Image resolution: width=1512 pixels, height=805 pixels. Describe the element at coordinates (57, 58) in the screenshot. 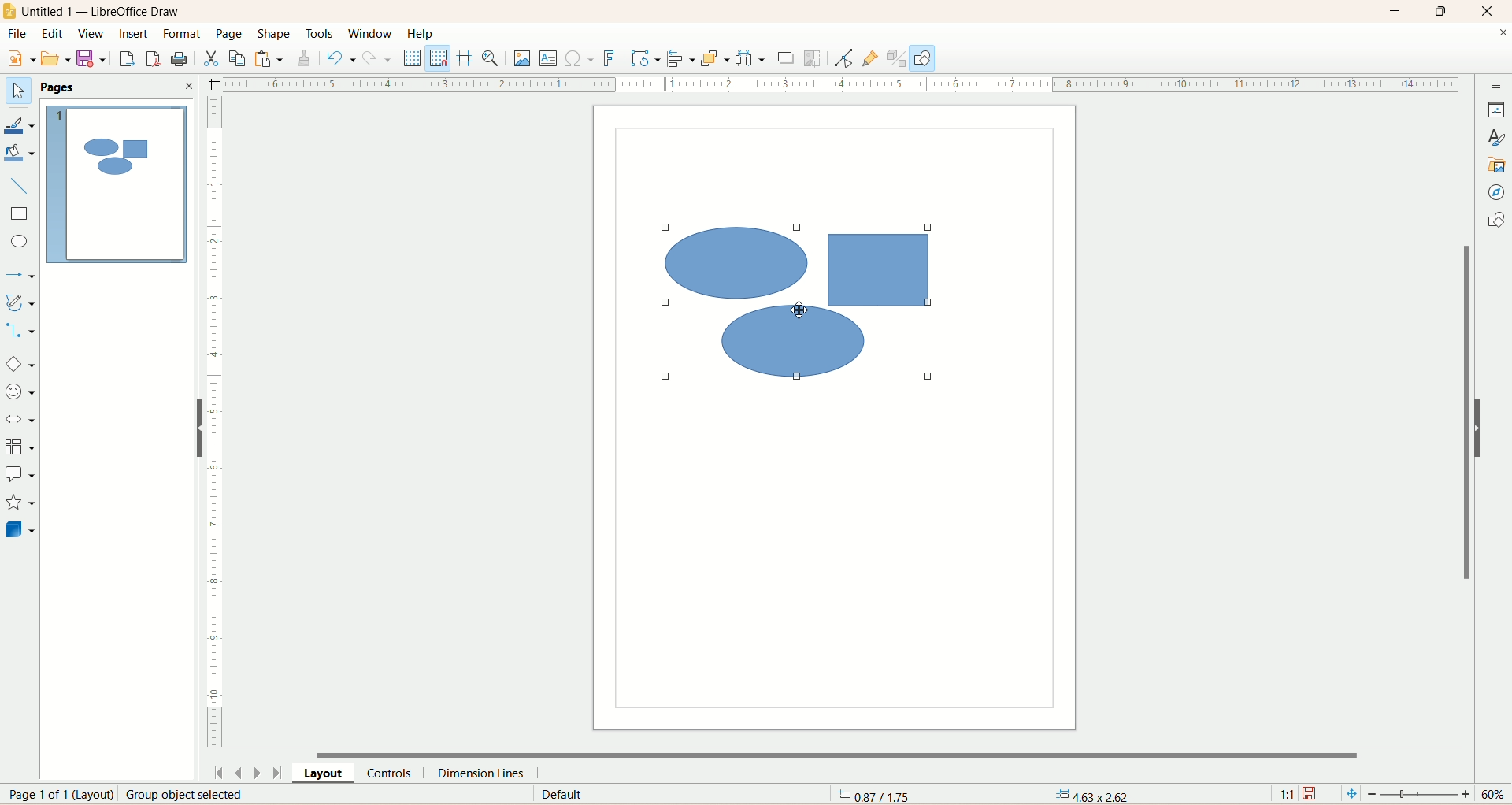

I see `open` at that location.